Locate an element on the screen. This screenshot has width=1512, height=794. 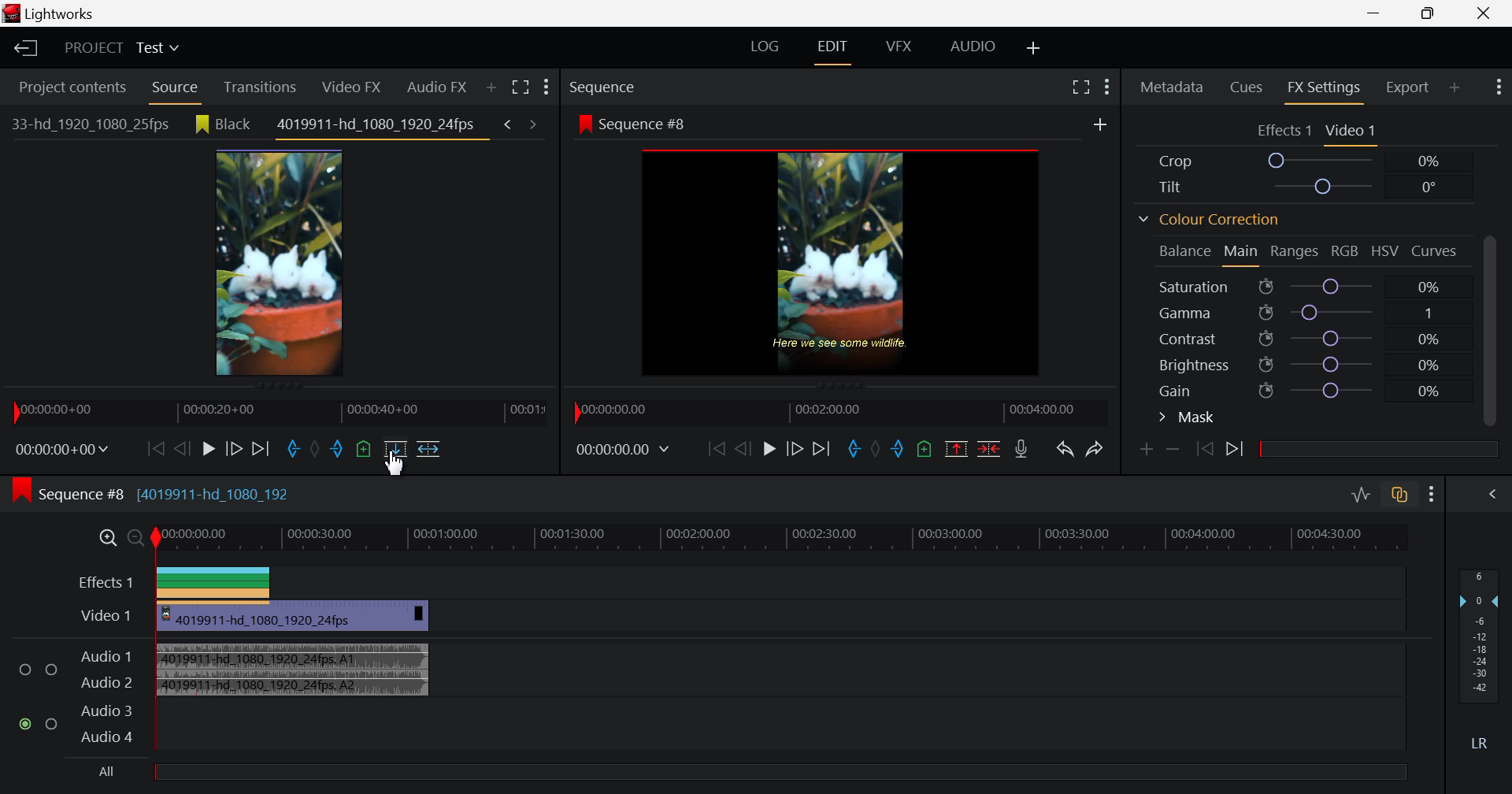
Effects Settings is located at coordinates (1282, 131).